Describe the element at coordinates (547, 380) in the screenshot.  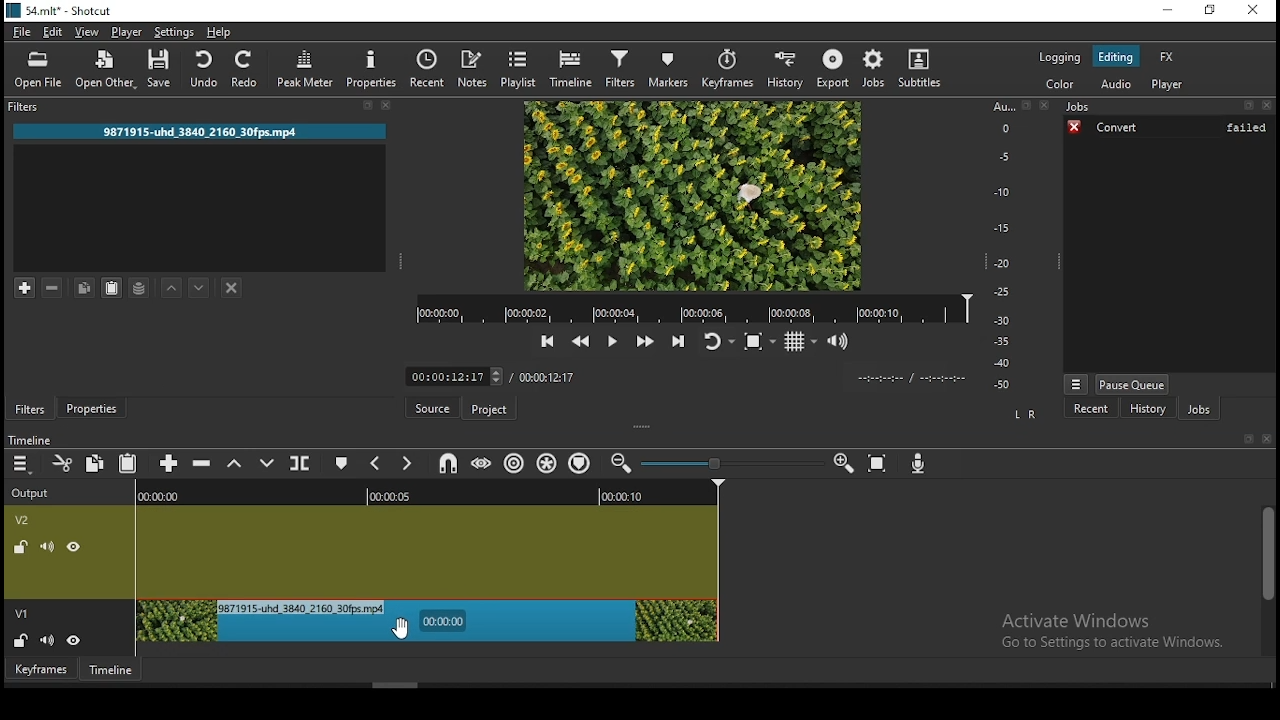
I see `total time` at that location.